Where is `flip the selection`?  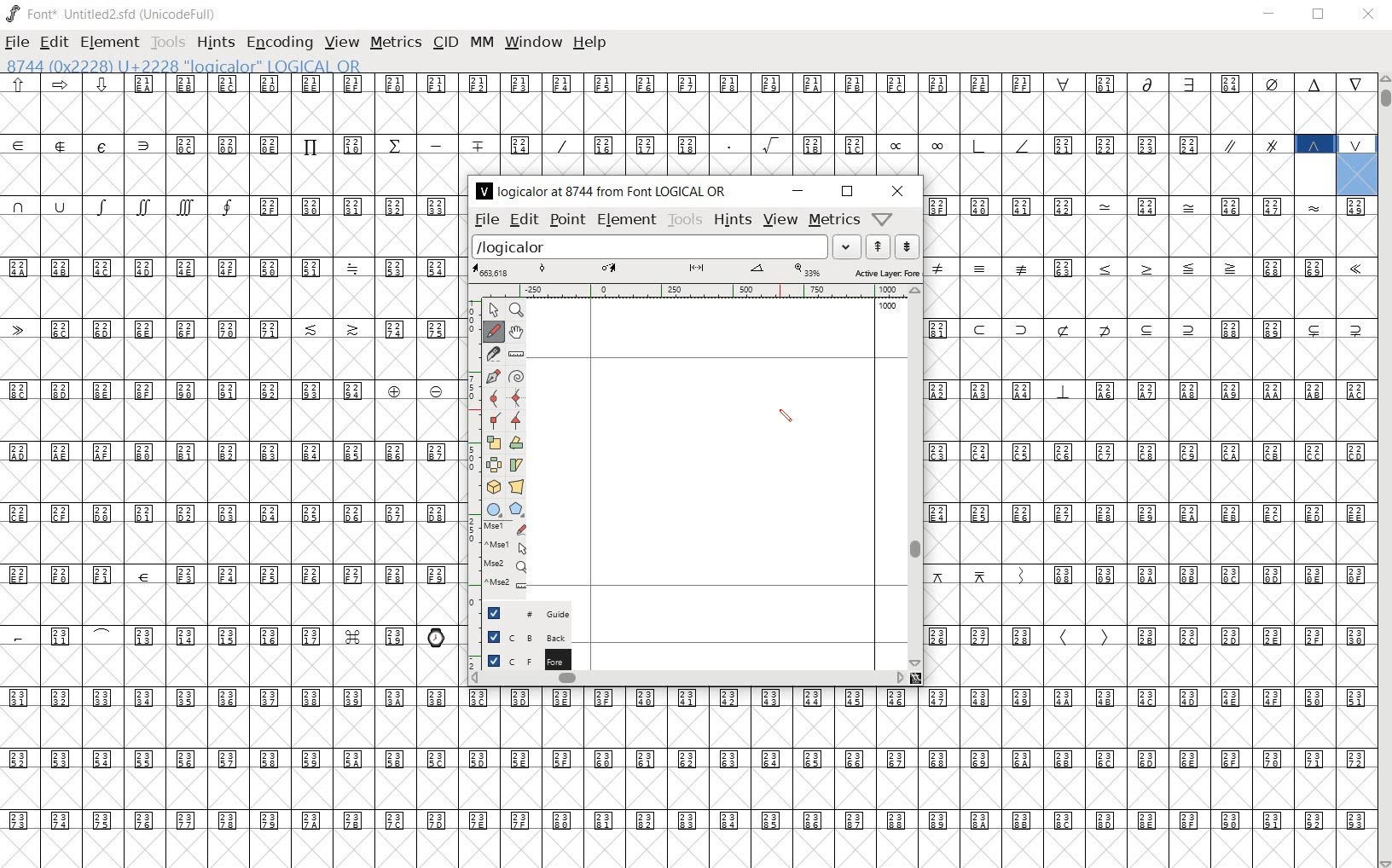 flip the selection is located at coordinates (492, 465).